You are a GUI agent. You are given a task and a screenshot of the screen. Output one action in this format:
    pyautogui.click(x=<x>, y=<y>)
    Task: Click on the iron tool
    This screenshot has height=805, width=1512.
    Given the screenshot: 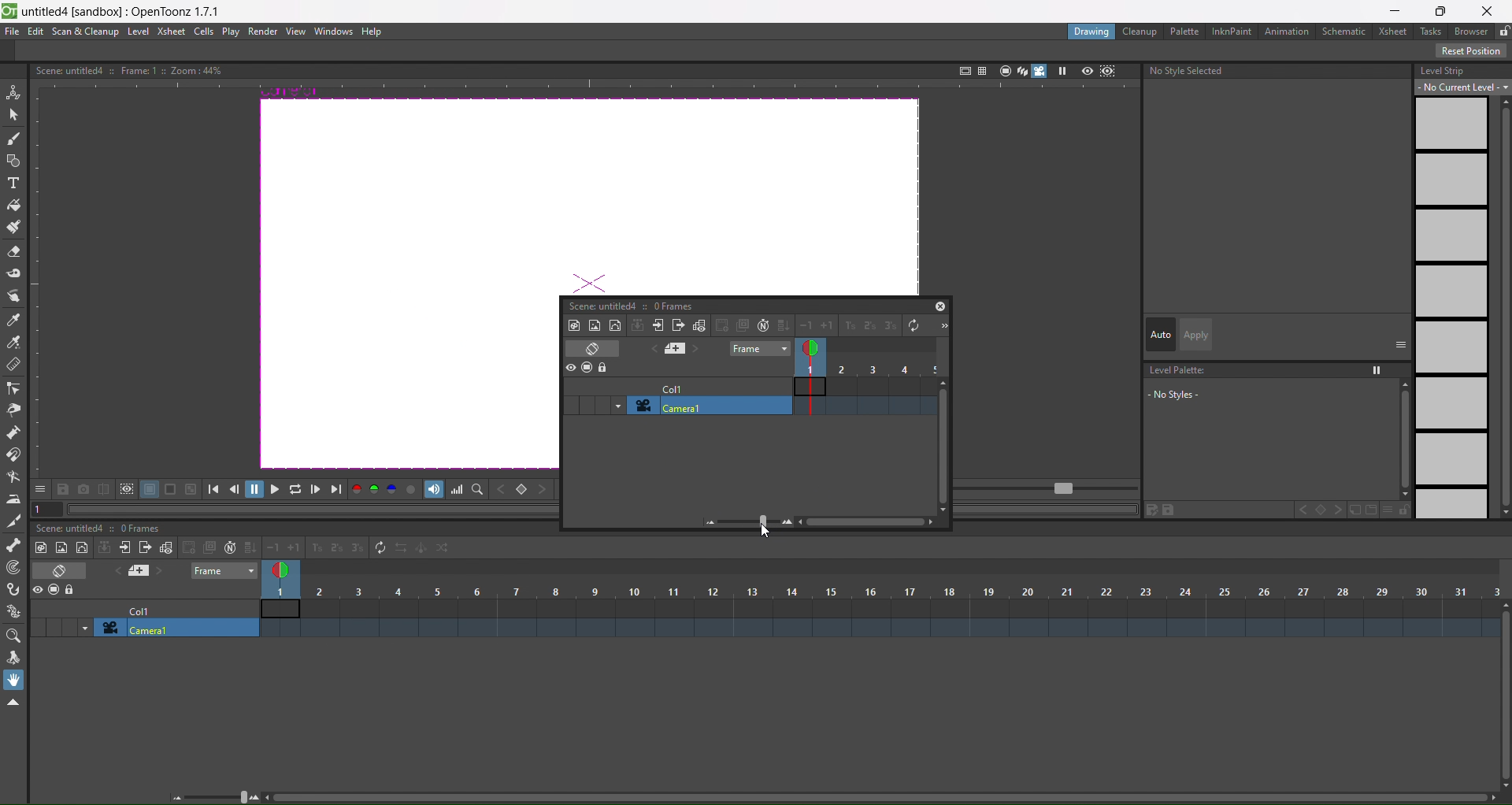 What is the action you would take?
    pyautogui.click(x=13, y=499)
    